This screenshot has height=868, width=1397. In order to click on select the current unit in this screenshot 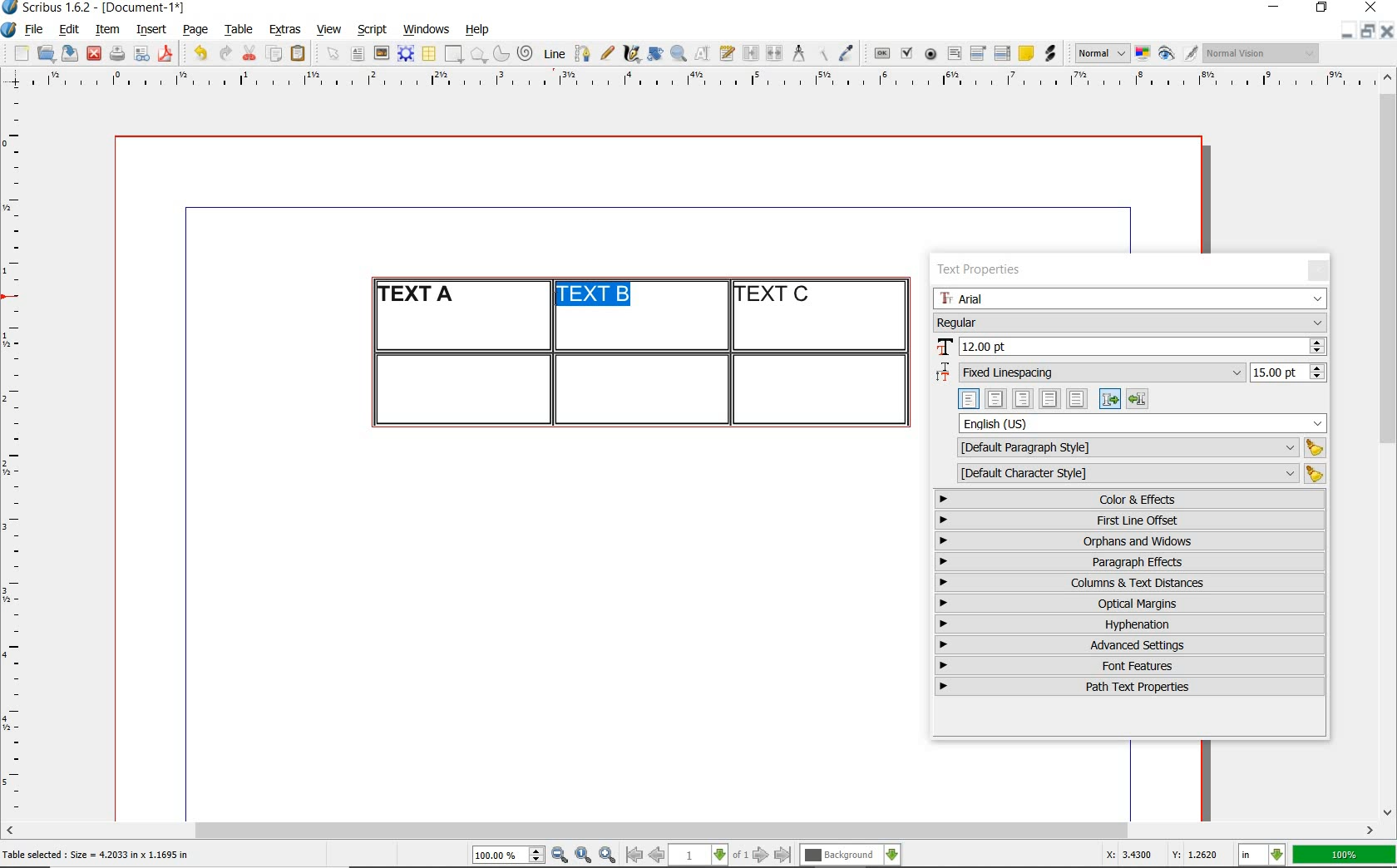, I will do `click(1262, 856)`.